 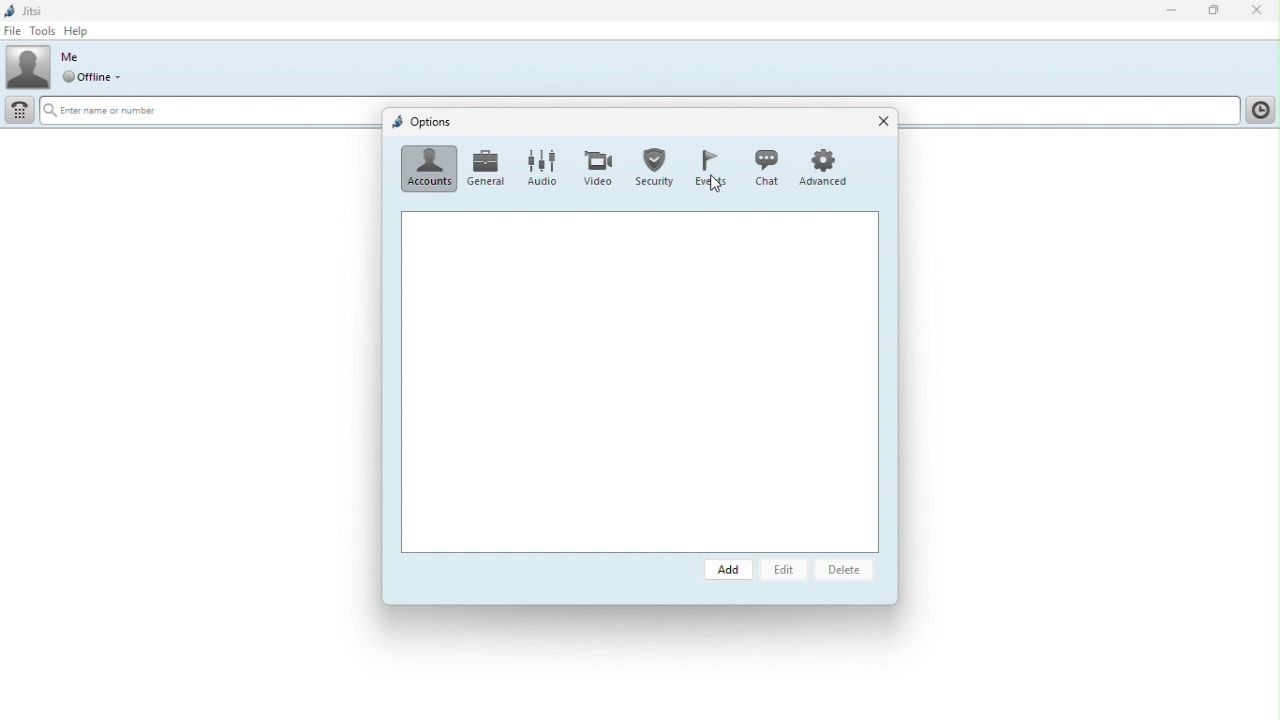 What do you see at coordinates (26, 9) in the screenshot?
I see `Jitsi` at bounding box center [26, 9].